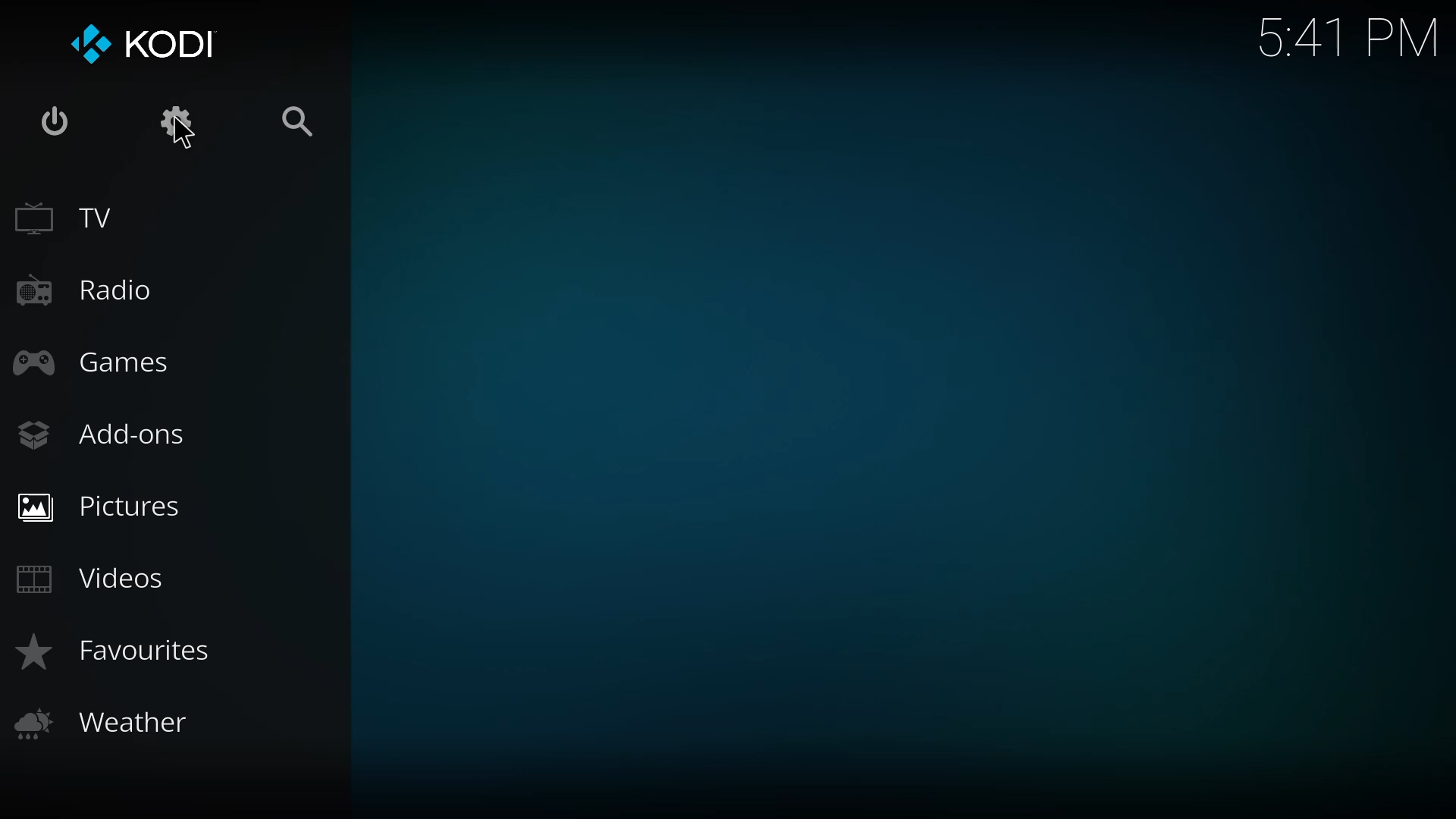 Image resolution: width=1456 pixels, height=819 pixels. Describe the element at coordinates (94, 575) in the screenshot. I see `videos` at that location.